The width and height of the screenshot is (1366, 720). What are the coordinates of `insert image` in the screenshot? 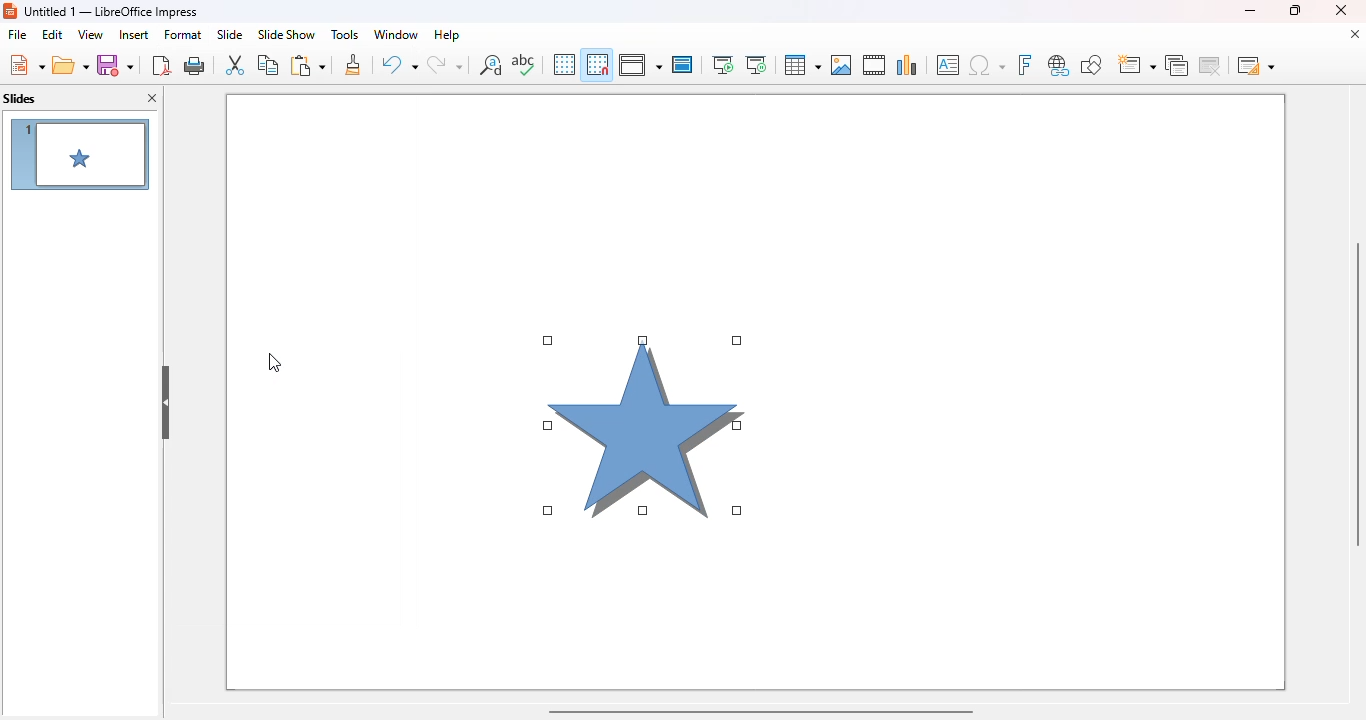 It's located at (841, 65).